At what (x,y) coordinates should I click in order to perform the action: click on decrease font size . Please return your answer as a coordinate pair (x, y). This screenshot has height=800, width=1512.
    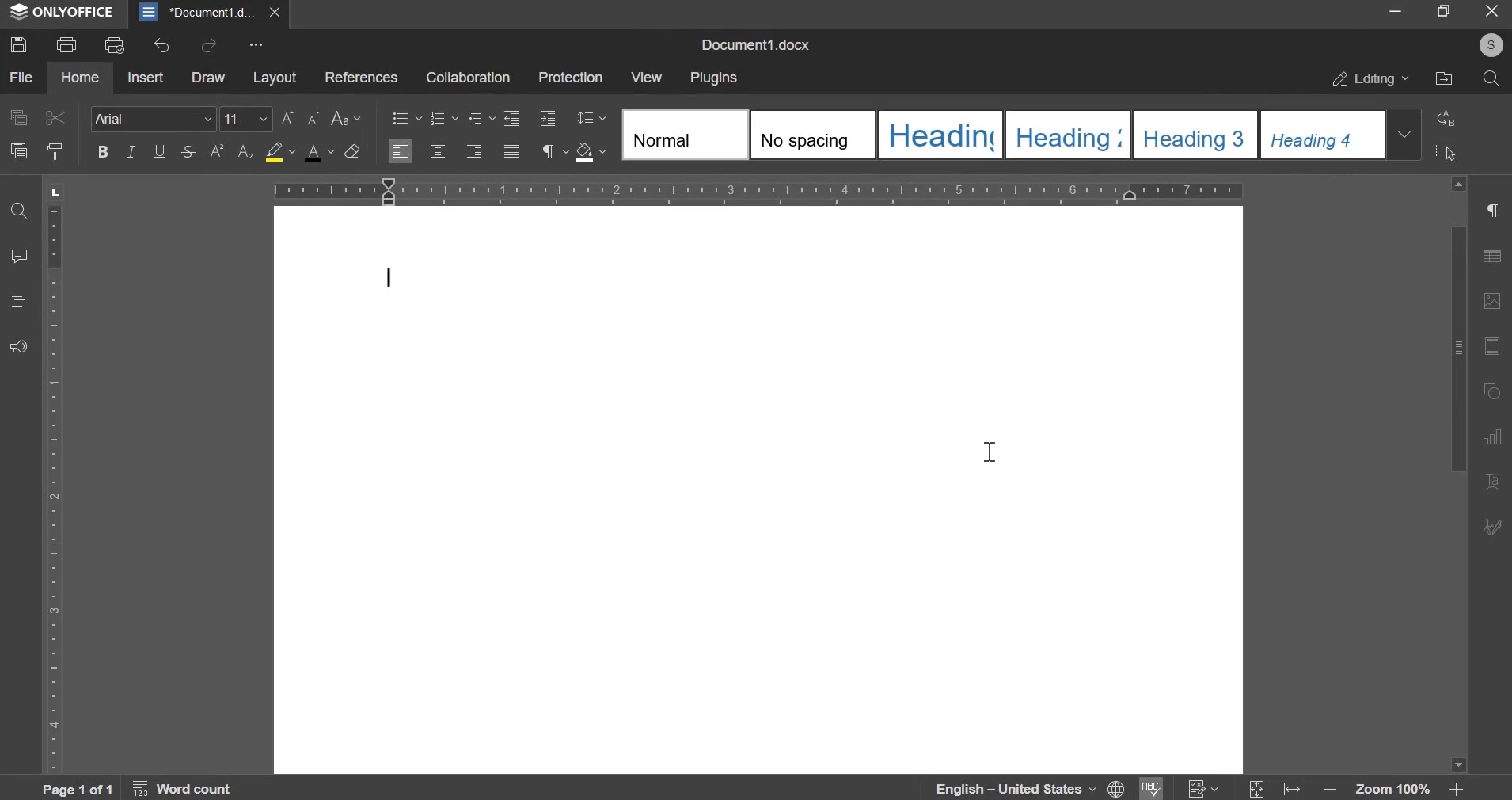
    Looking at the image, I should click on (314, 120).